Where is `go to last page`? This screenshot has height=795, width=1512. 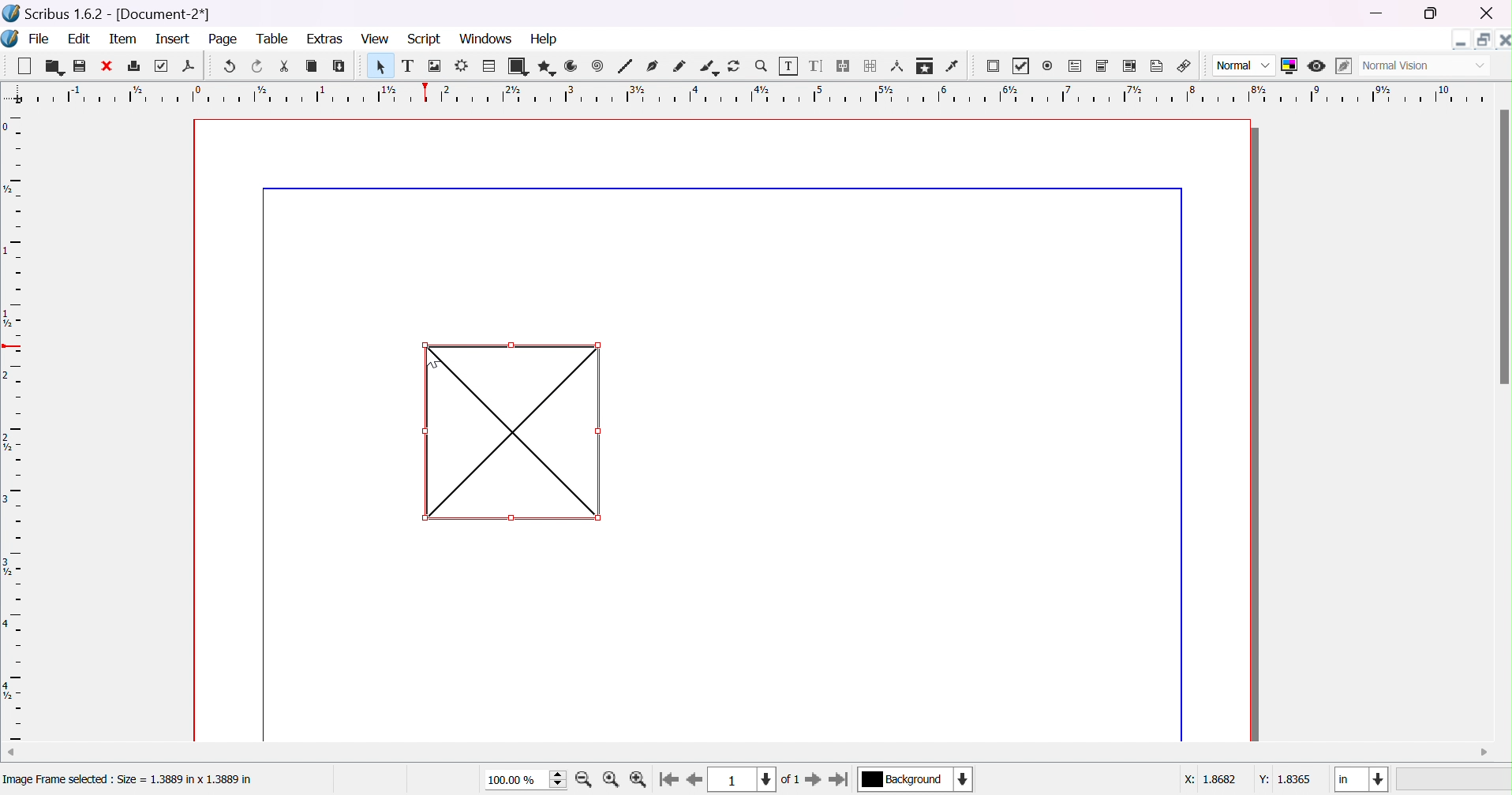 go to last page is located at coordinates (840, 779).